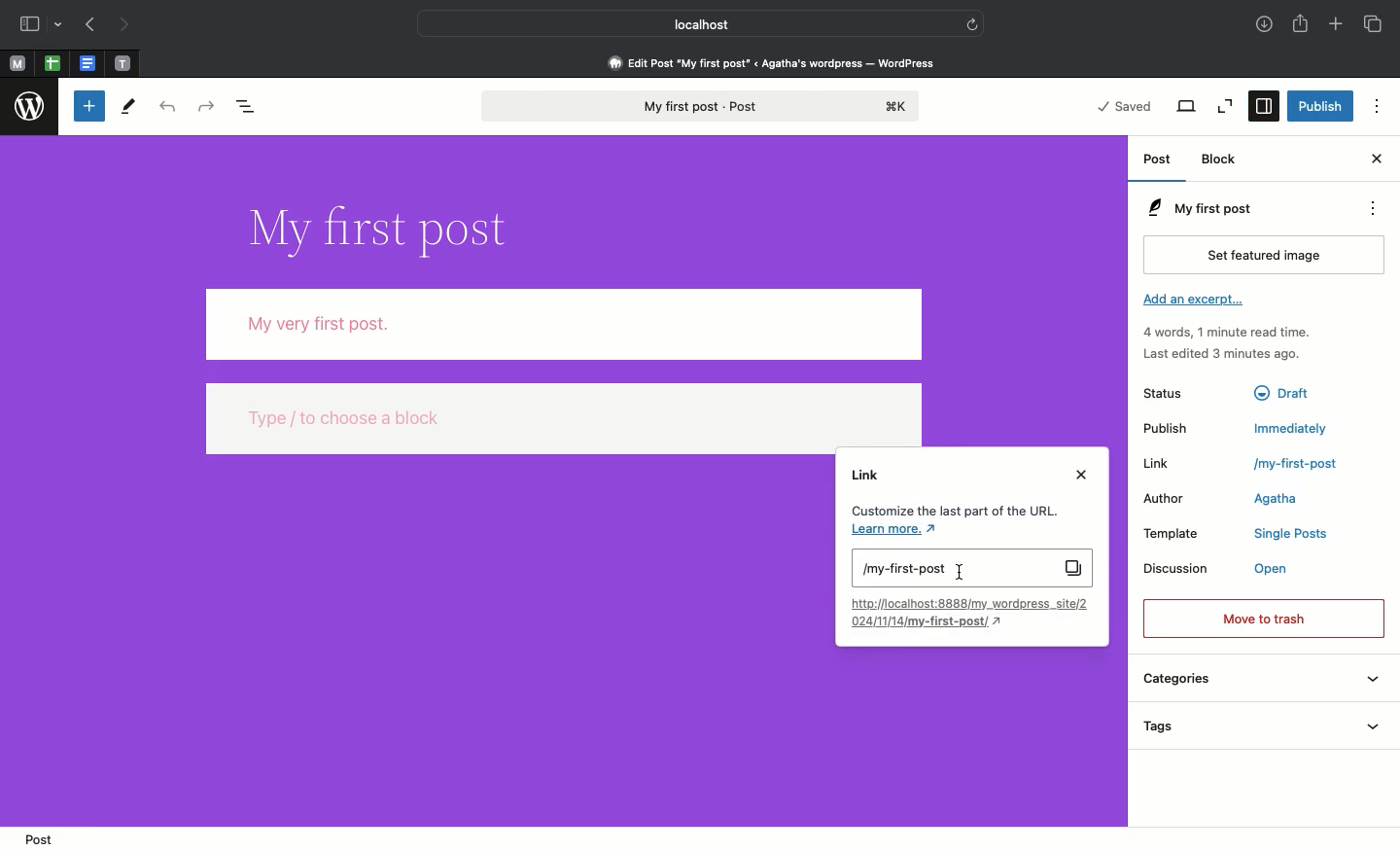  I want to click on Actions, so click(1371, 208).